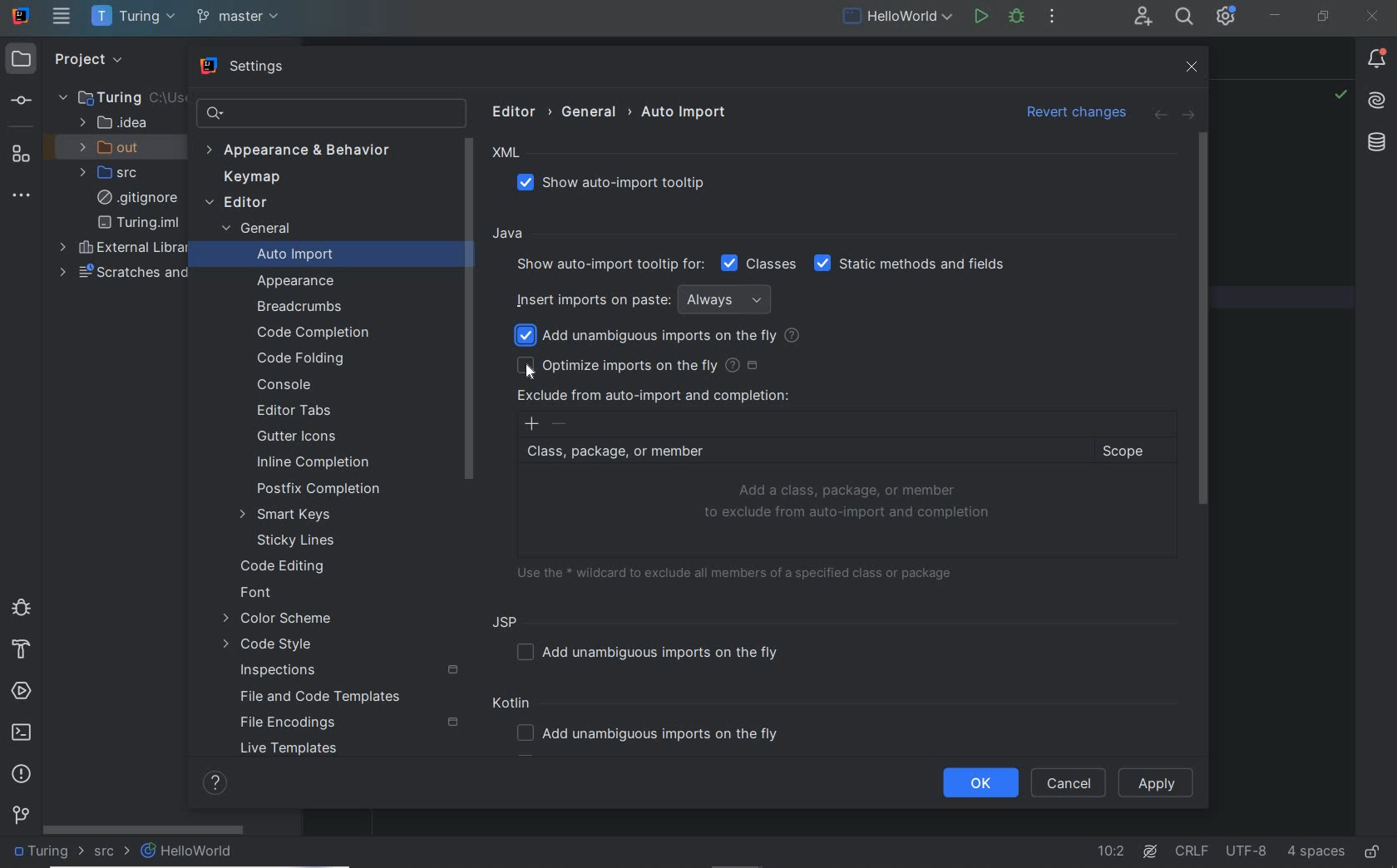  Describe the element at coordinates (126, 249) in the screenshot. I see `external libraries` at that location.